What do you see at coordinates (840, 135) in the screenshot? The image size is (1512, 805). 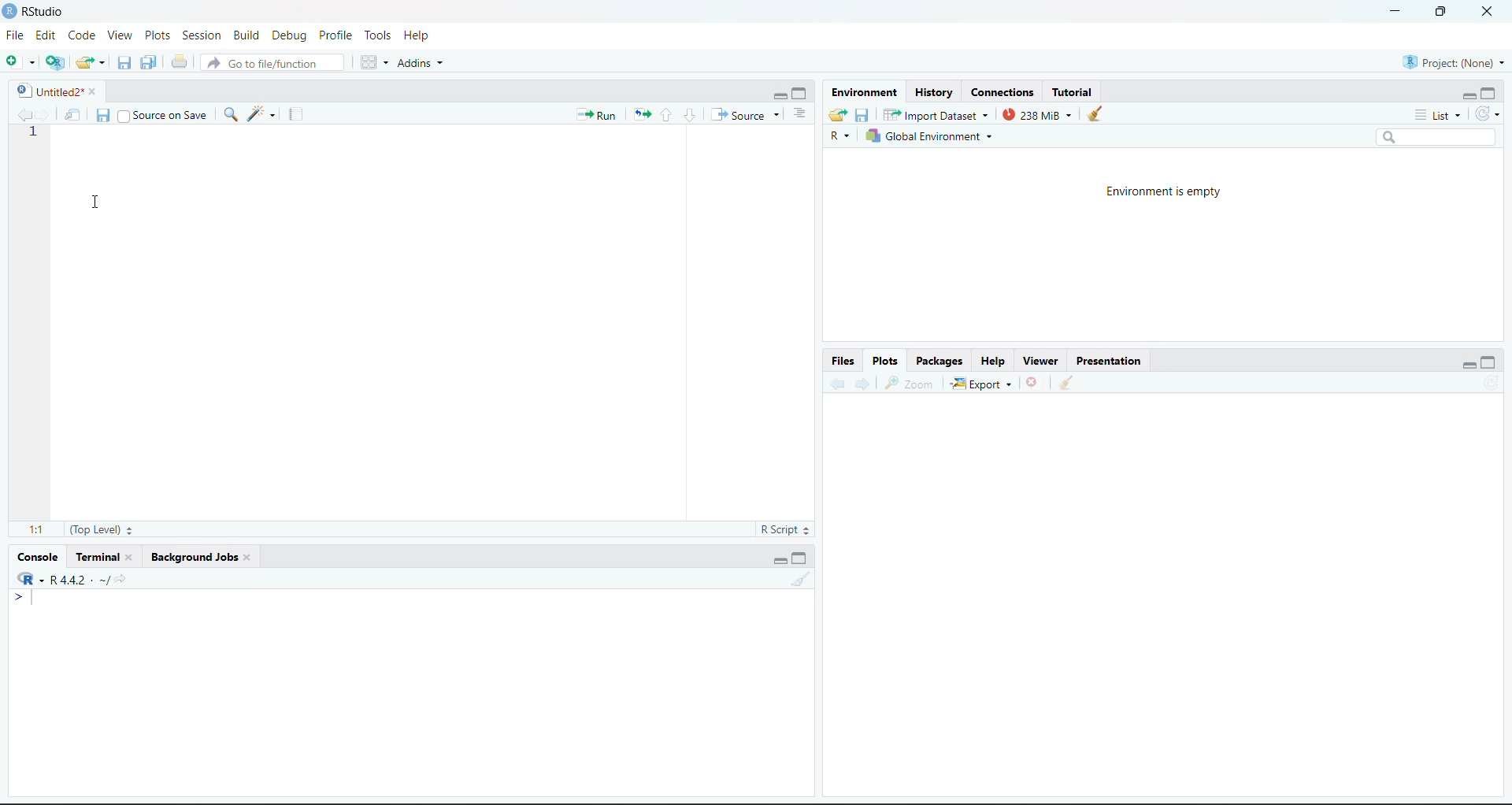 I see `R` at bounding box center [840, 135].